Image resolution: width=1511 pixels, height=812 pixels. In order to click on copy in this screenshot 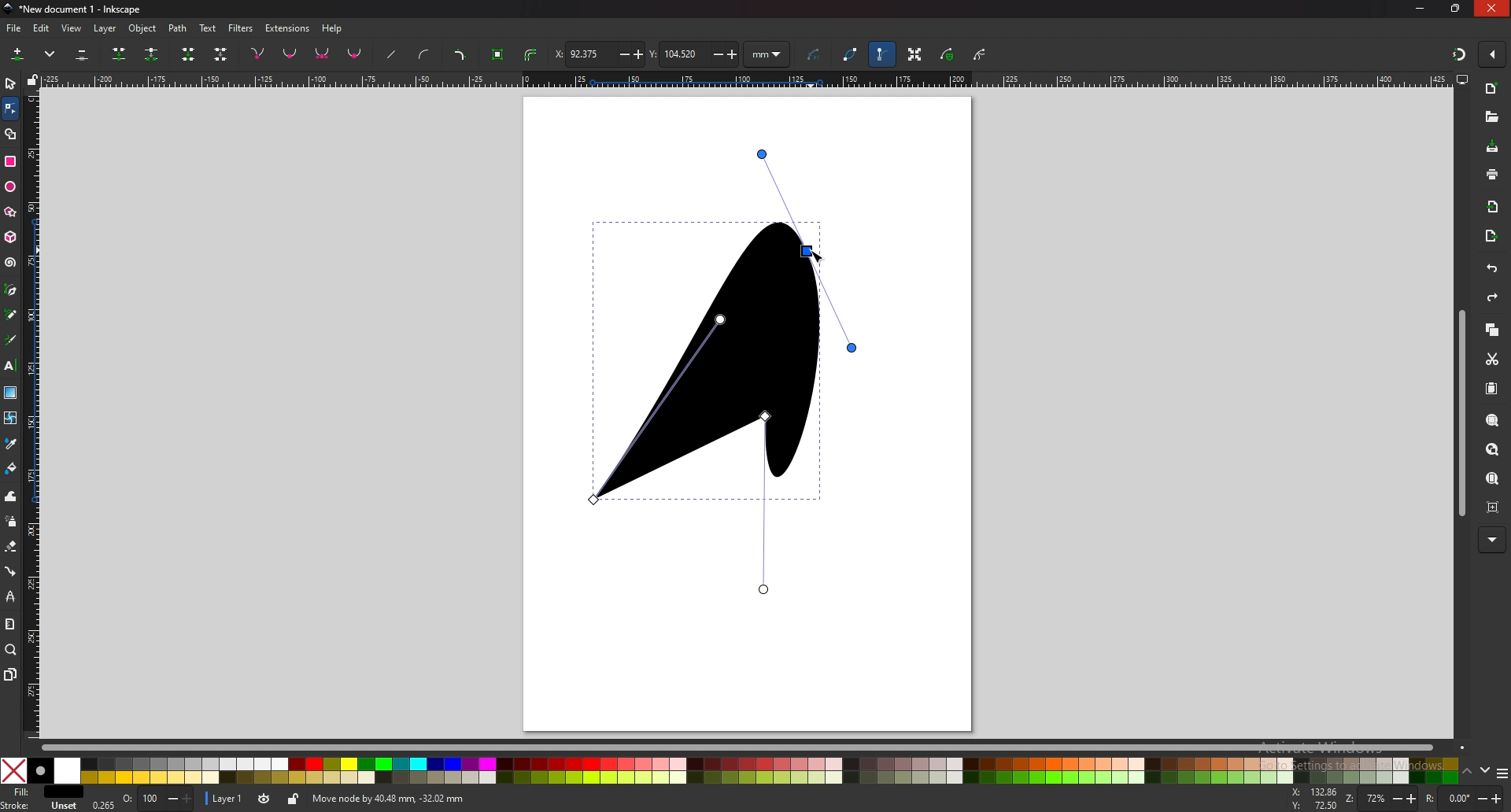, I will do `click(1492, 330)`.